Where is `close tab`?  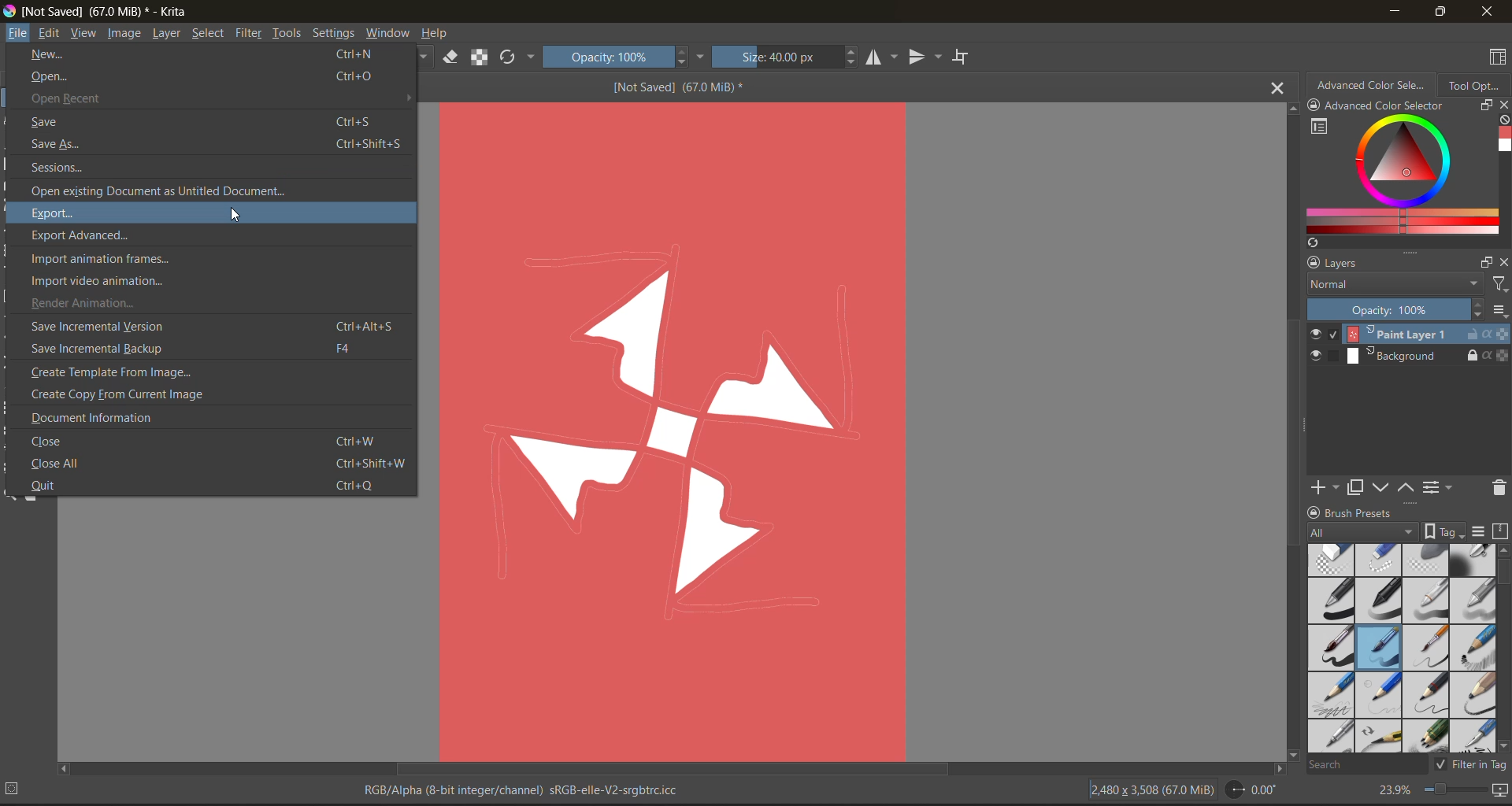
close tab is located at coordinates (1273, 91).